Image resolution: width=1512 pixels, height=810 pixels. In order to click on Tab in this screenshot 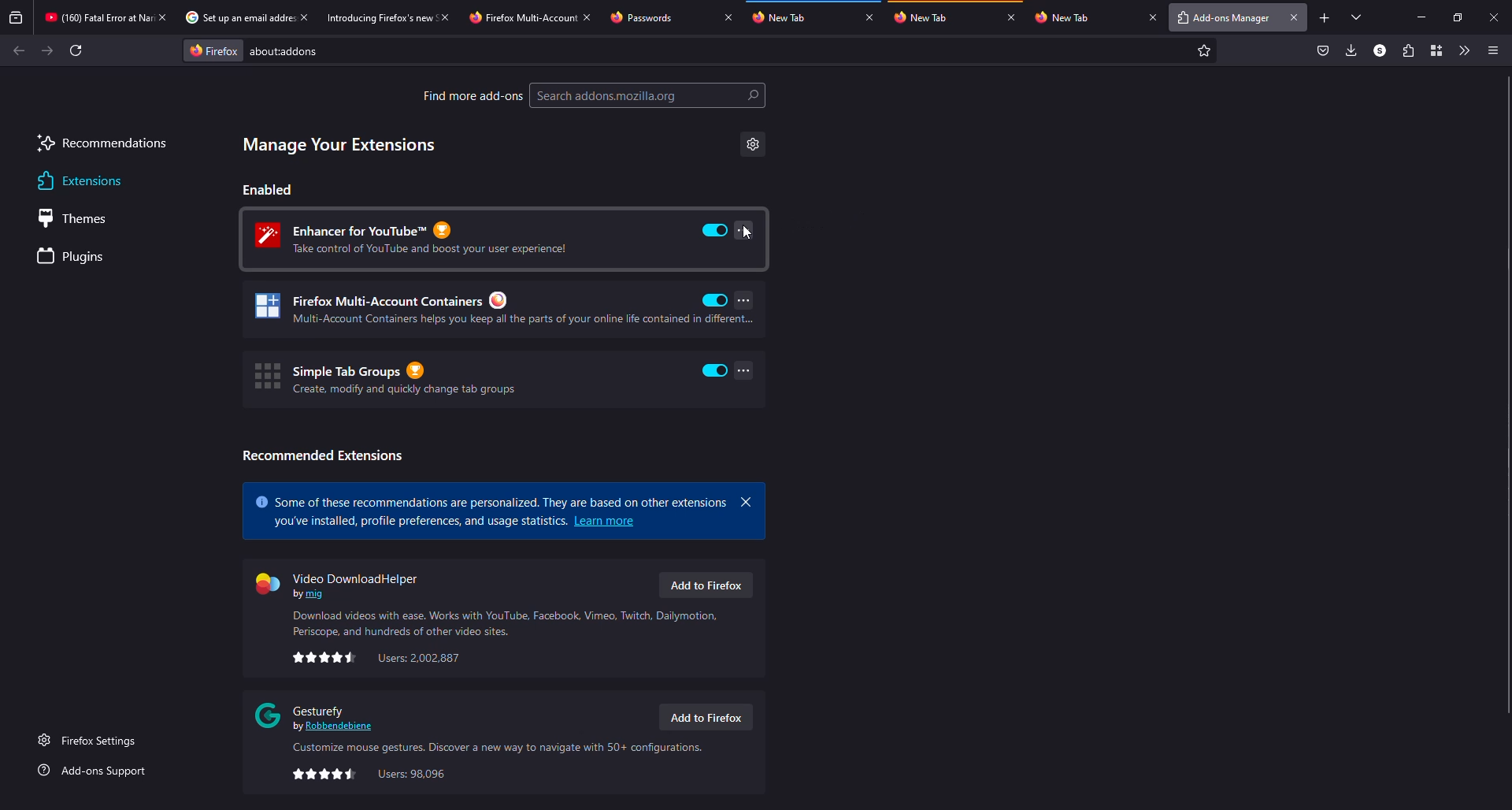, I will do `click(95, 17)`.